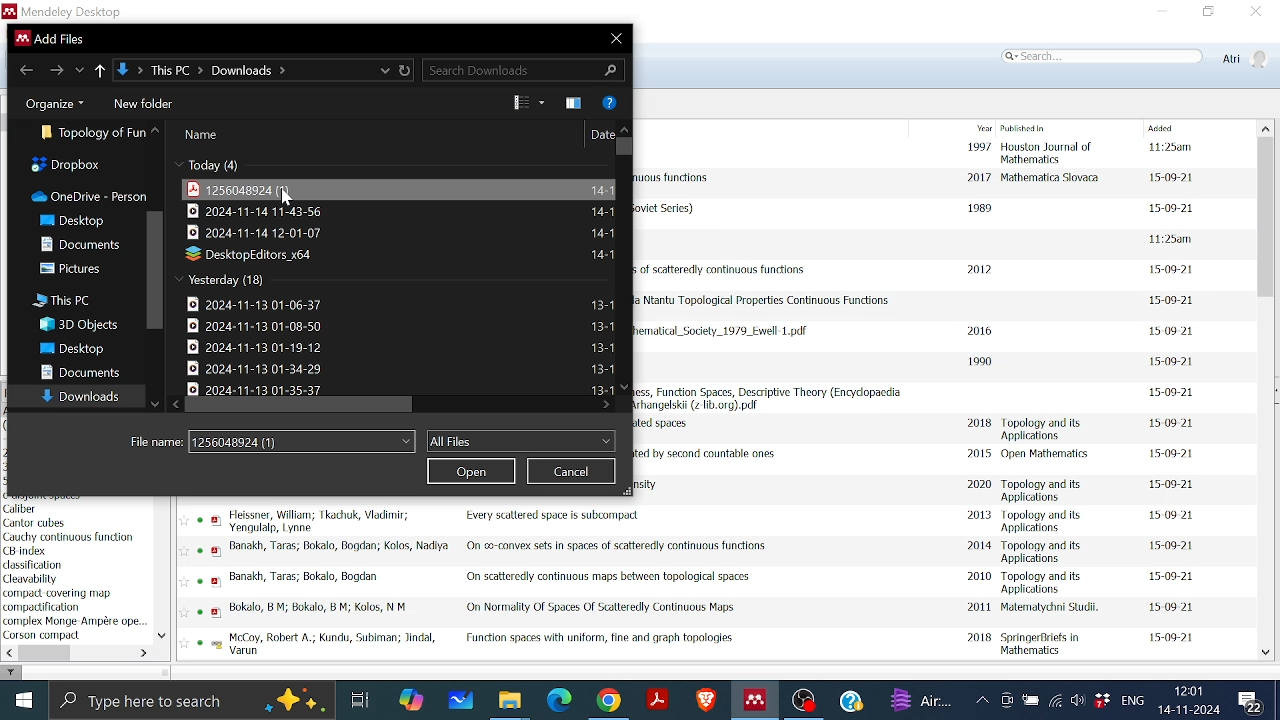 This screenshot has width=1280, height=720. What do you see at coordinates (1169, 300) in the screenshot?
I see `date` at bounding box center [1169, 300].